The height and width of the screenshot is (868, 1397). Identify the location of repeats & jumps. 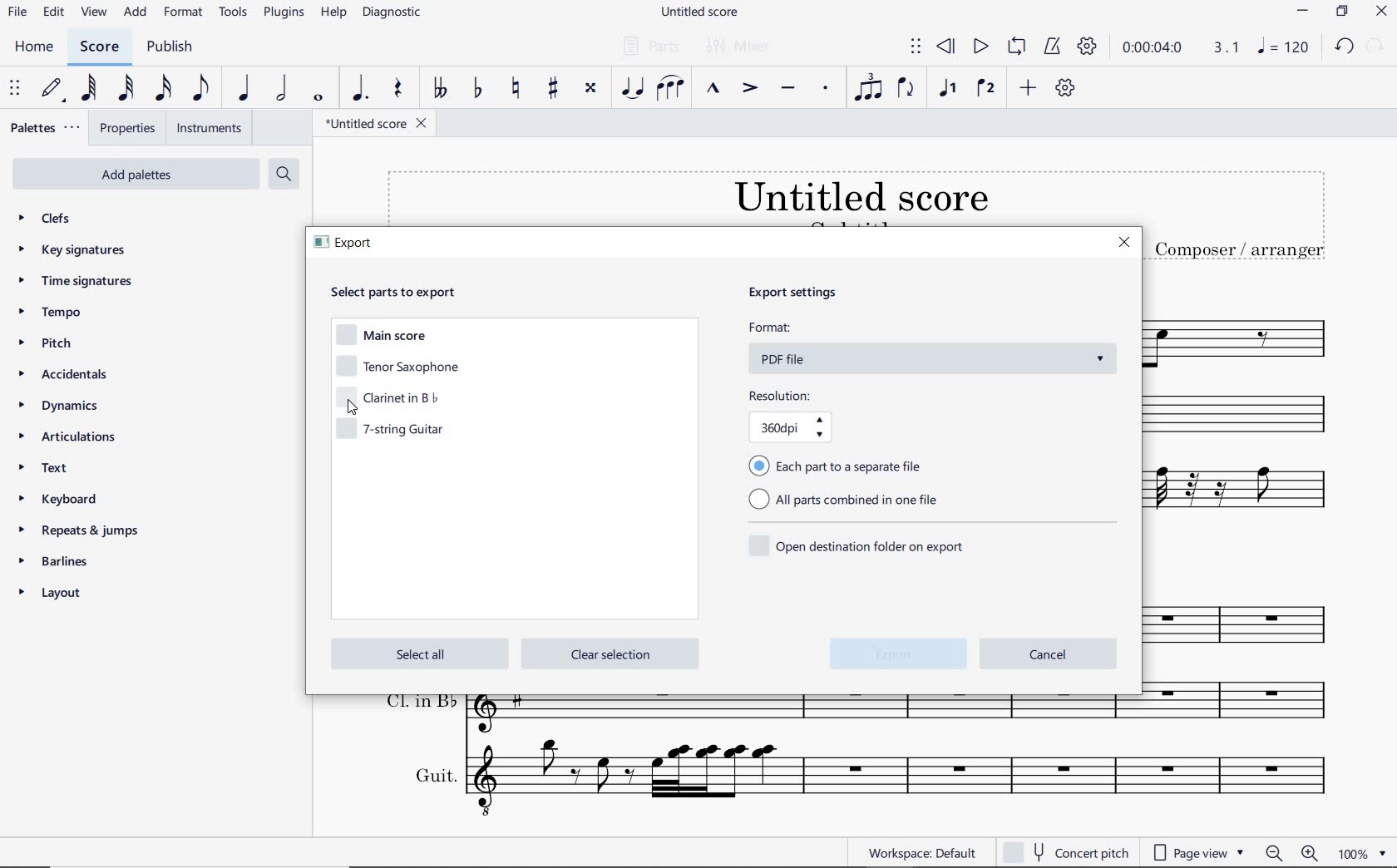
(82, 530).